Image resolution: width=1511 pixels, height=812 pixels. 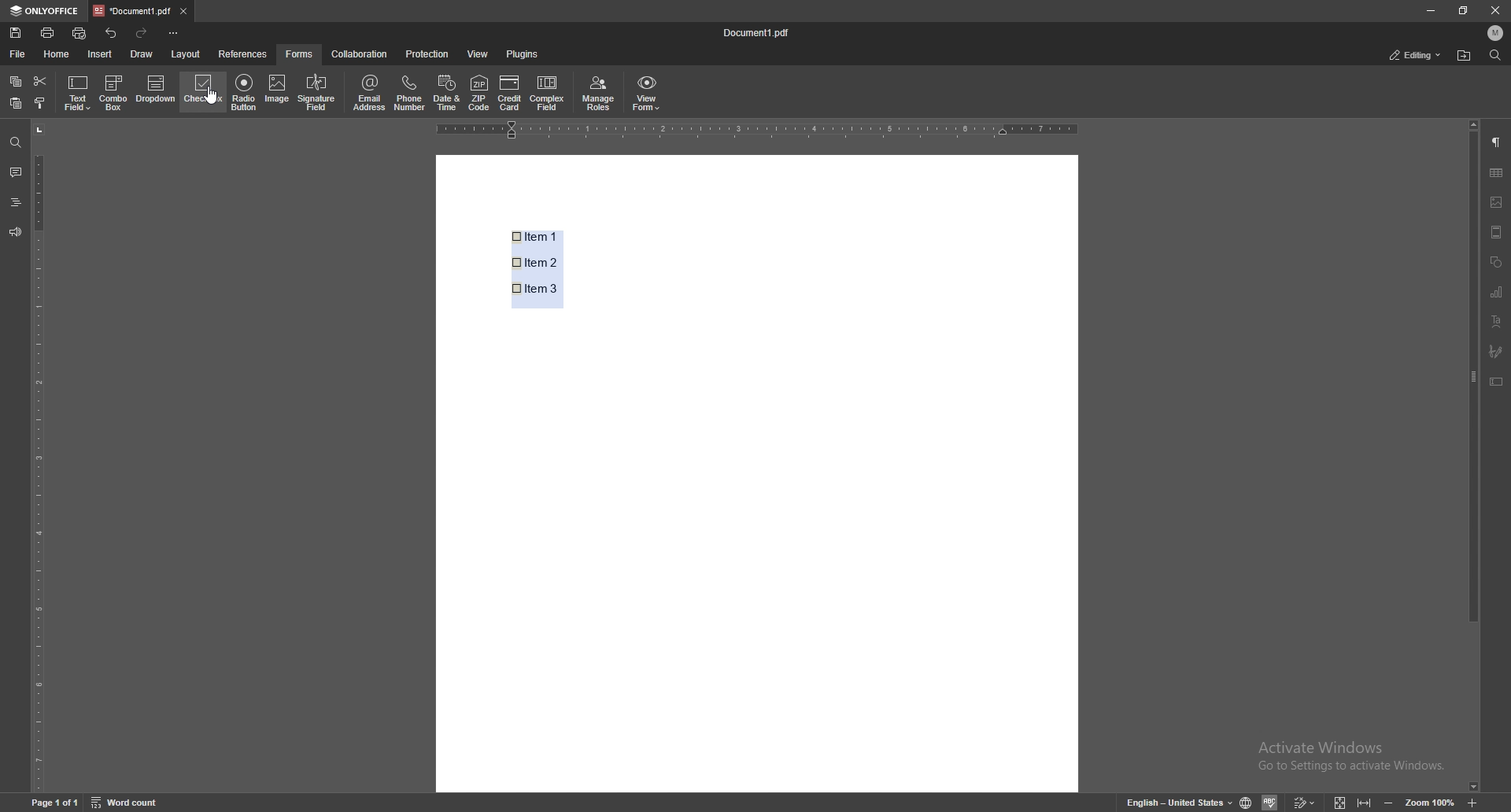 What do you see at coordinates (1497, 142) in the screenshot?
I see `paragraph` at bounding box center [1497, 142].